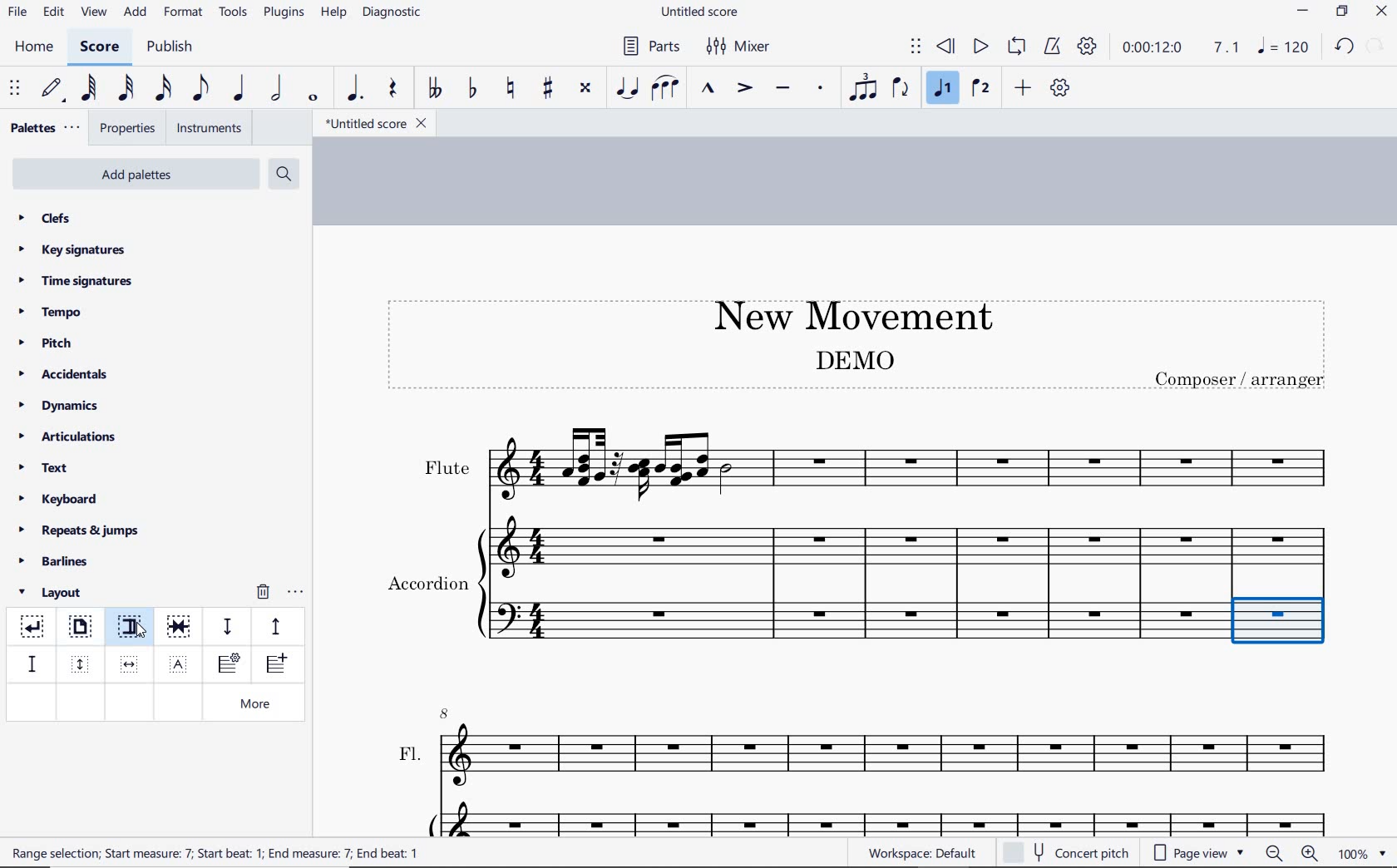 The height and width of the screenshot is (868, 1397). Describe the element at coordinates (1089, 46) in the screenshot. I see `playback settings` at that location.